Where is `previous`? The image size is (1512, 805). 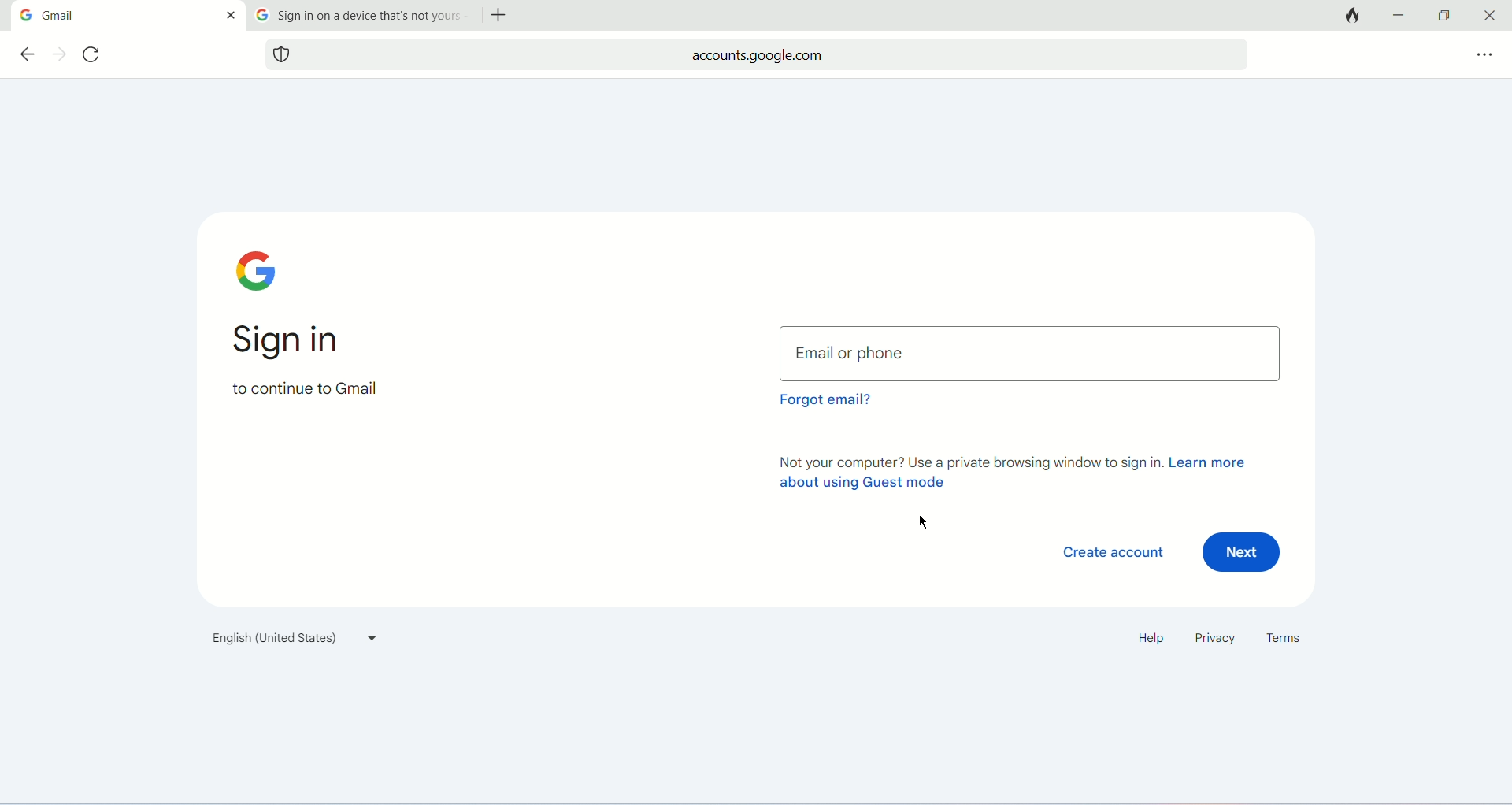
previous is located at coordinates (26, 54).